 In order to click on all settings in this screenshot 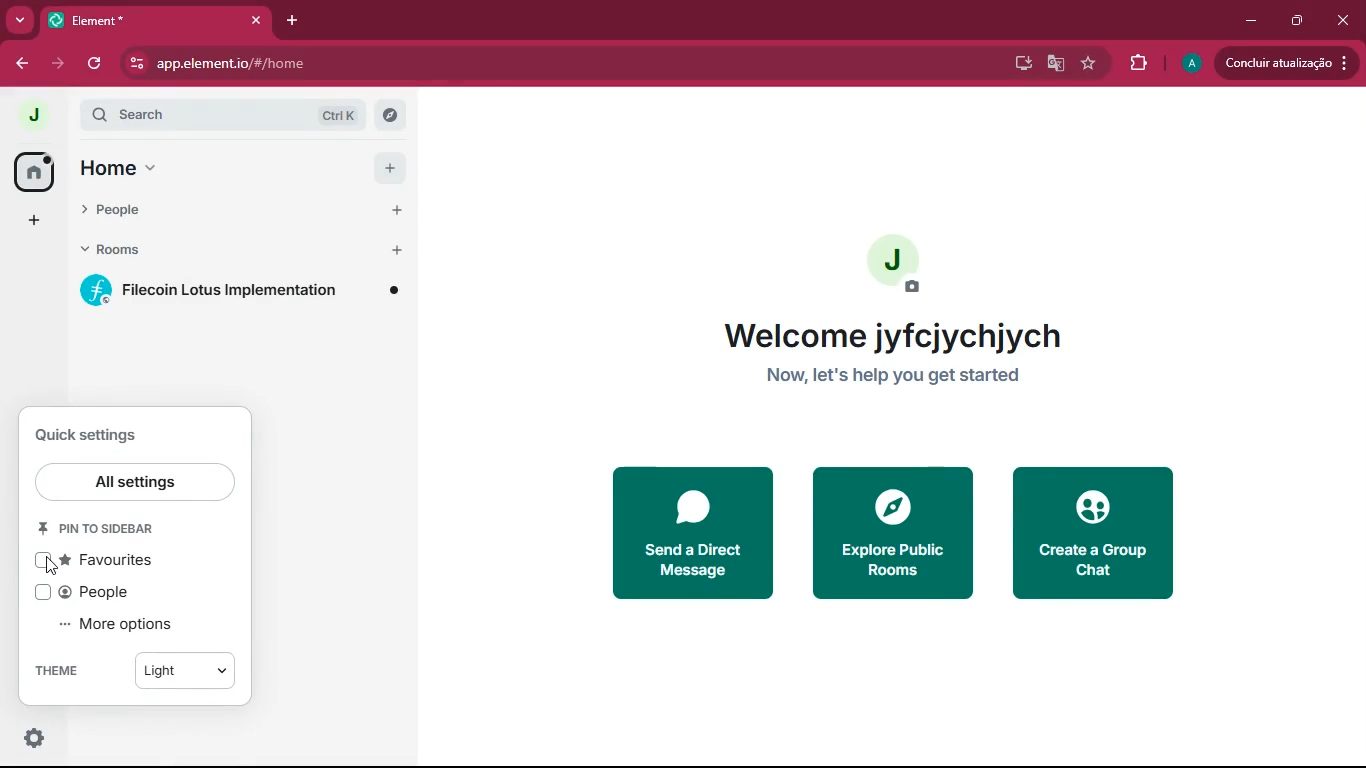, I will do `click(137, 481)`.